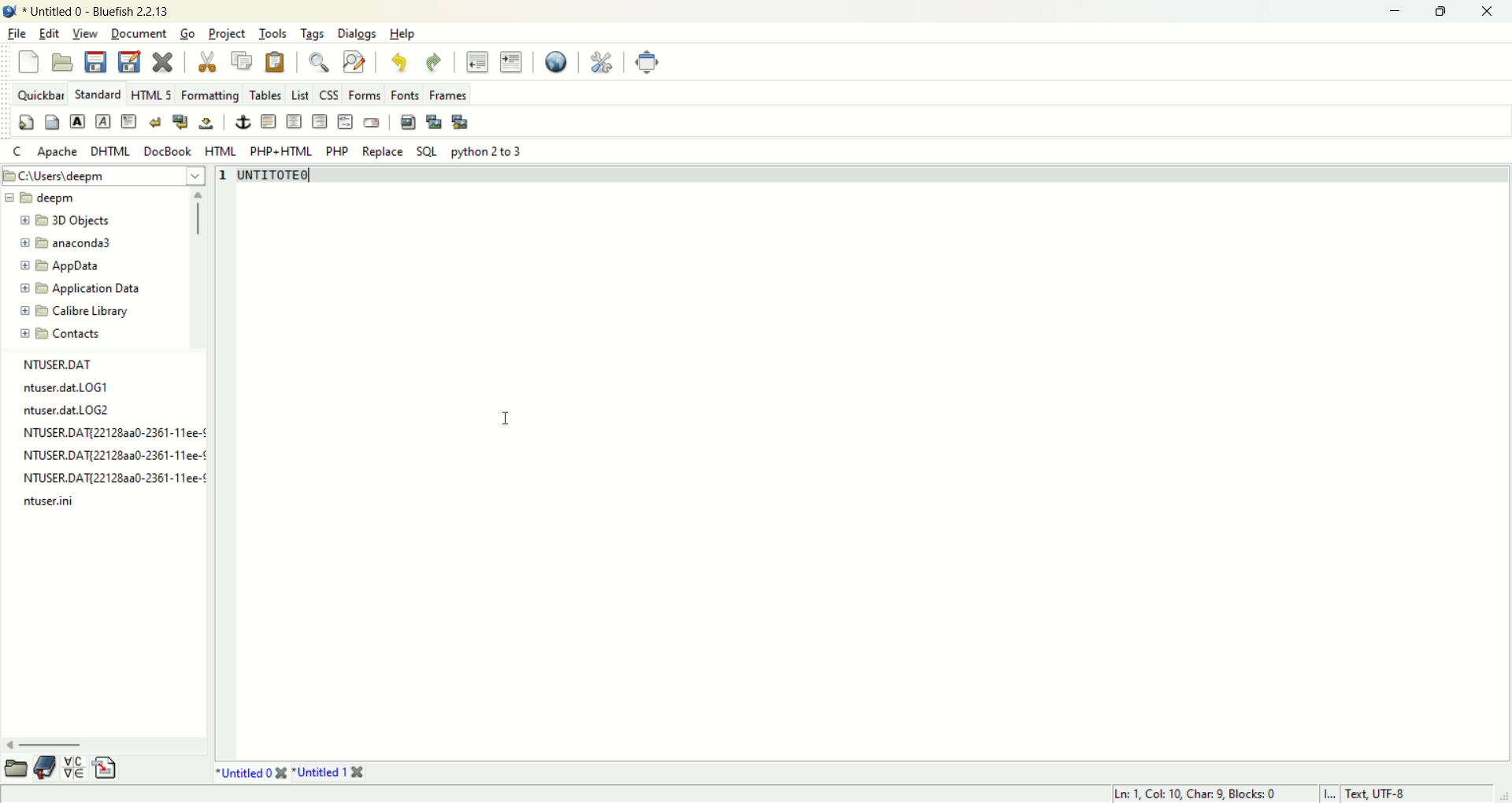 This screenshot has width=1512, height=803. I want to click on break, so click(155, 123).